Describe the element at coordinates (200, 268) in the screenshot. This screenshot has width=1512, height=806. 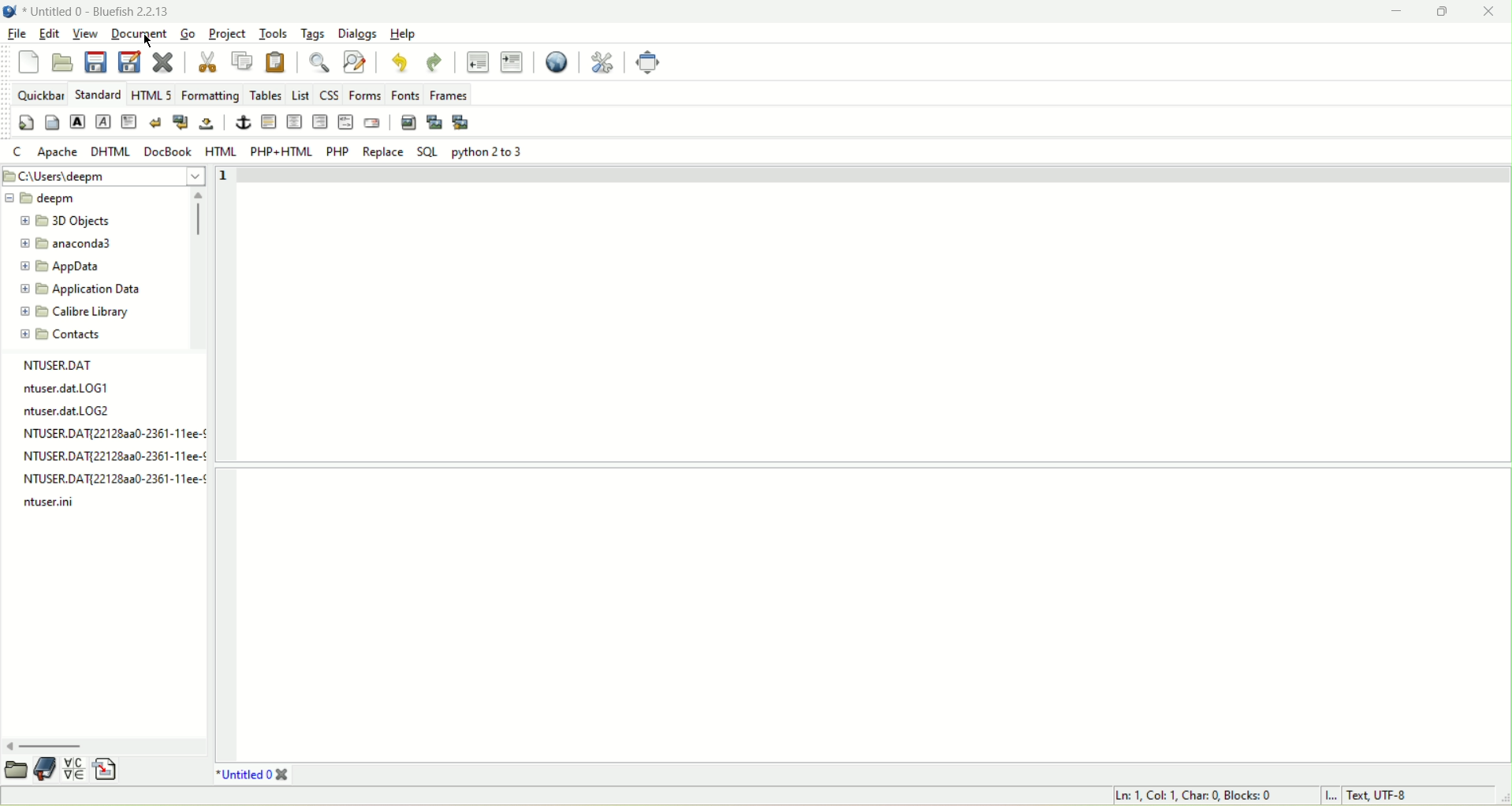
I see `scroll bar` at that location.